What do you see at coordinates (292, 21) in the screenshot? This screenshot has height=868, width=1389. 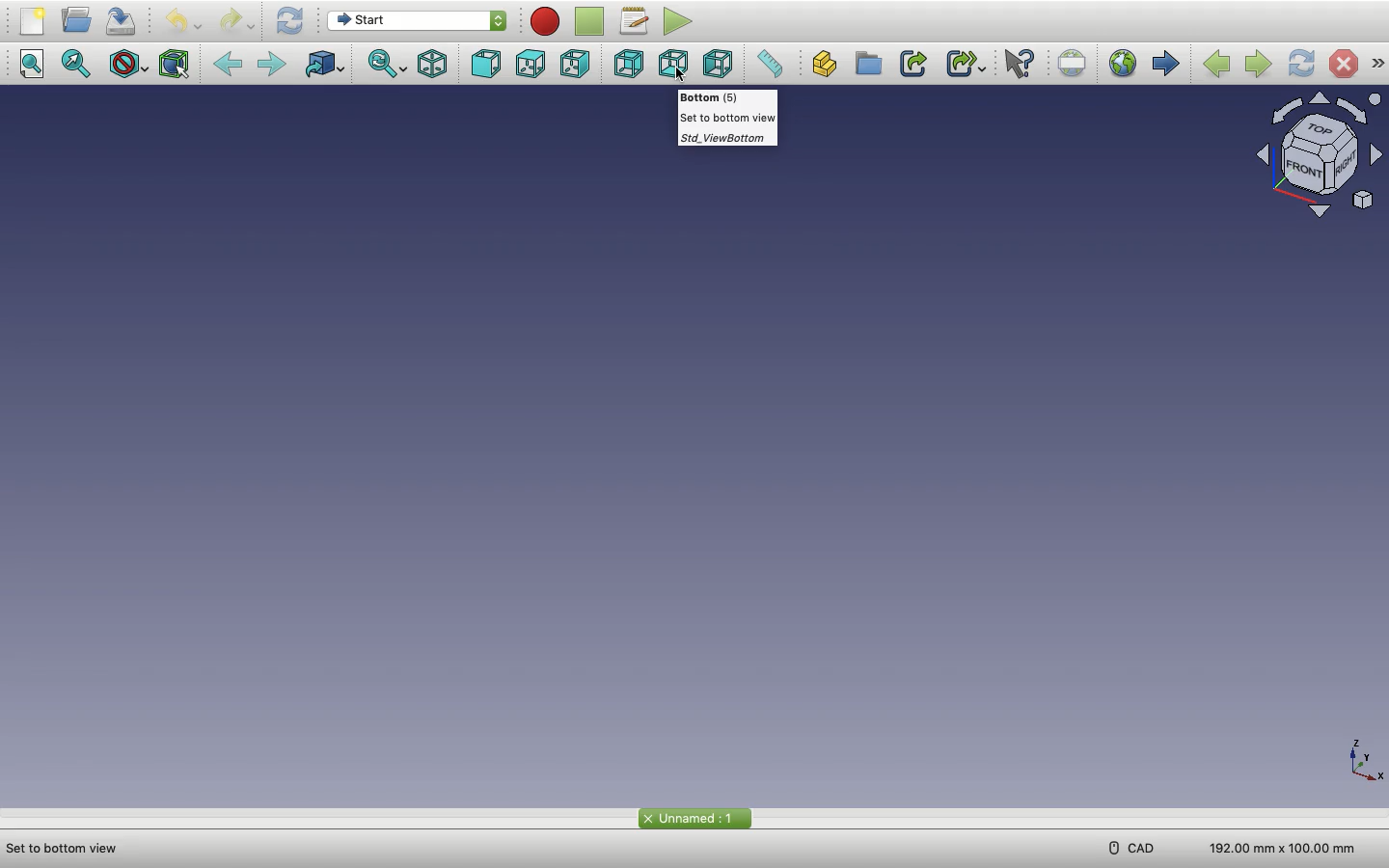 I see `Refresh` at bounding box center [292, 21].